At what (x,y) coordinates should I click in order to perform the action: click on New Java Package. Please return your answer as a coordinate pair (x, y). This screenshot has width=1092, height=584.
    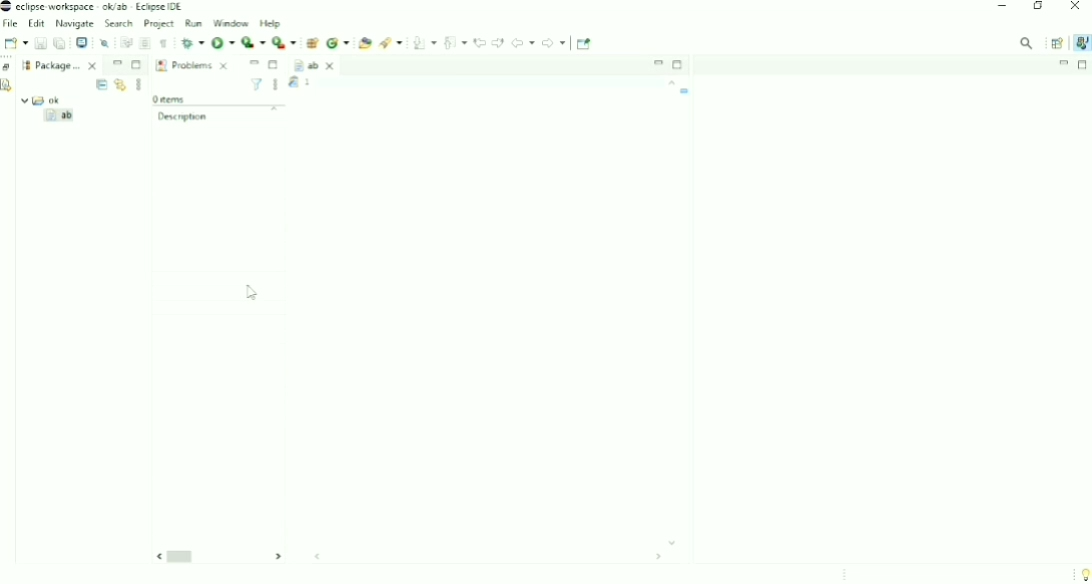
    Looking at the image, I should click on (311, 43).